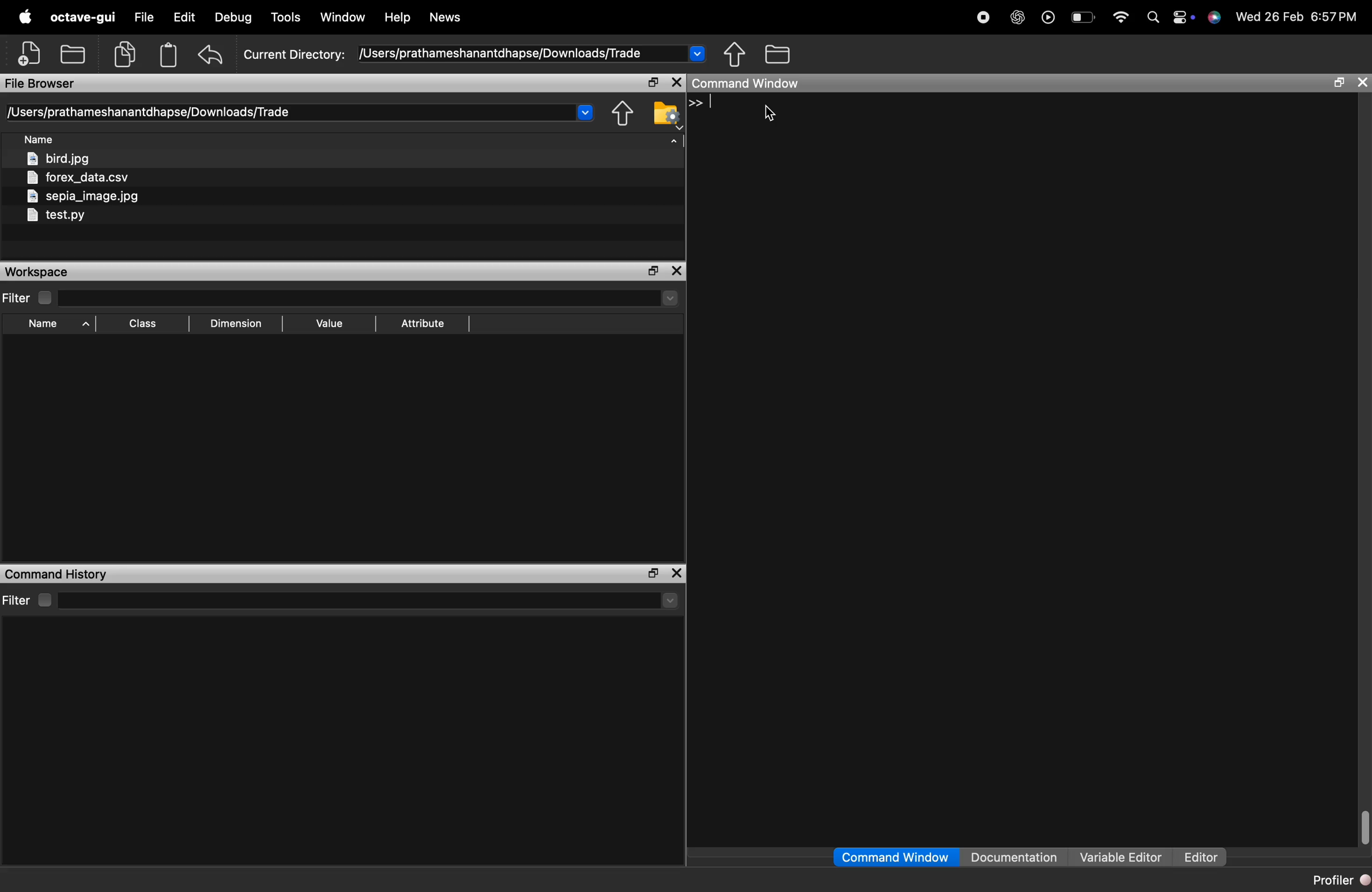 This screenshot has width=1372, height=892. I want to click on maximize, so click(653, 271).